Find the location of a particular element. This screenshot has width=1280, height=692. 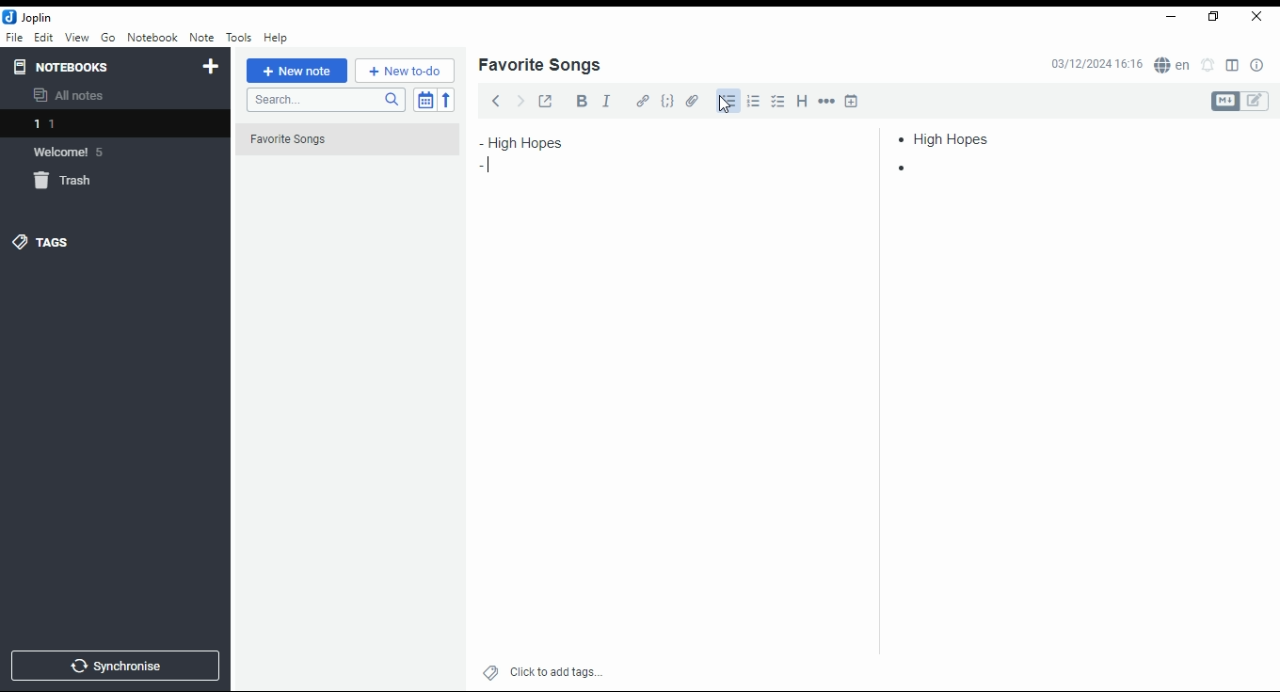

notebook: welcome is located at coordinates (73, 151).